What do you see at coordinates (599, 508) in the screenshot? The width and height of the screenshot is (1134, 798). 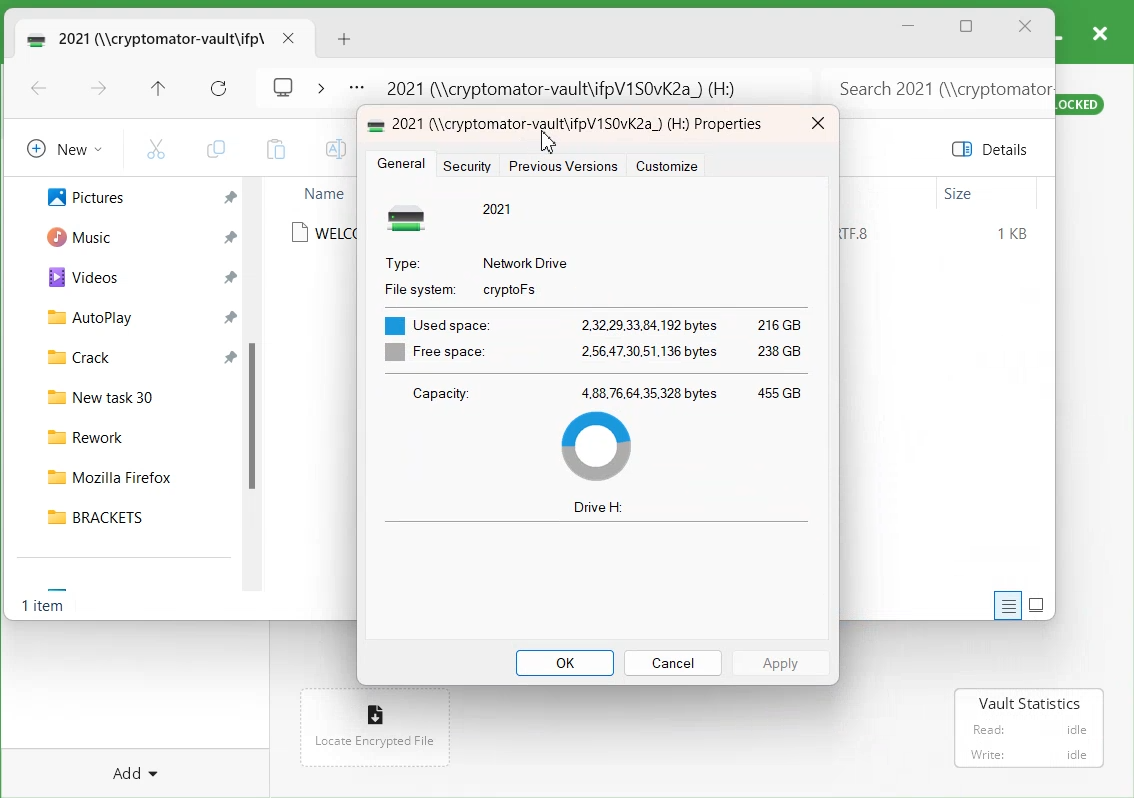 I see `Drive H` at bounding box center [599, 508].